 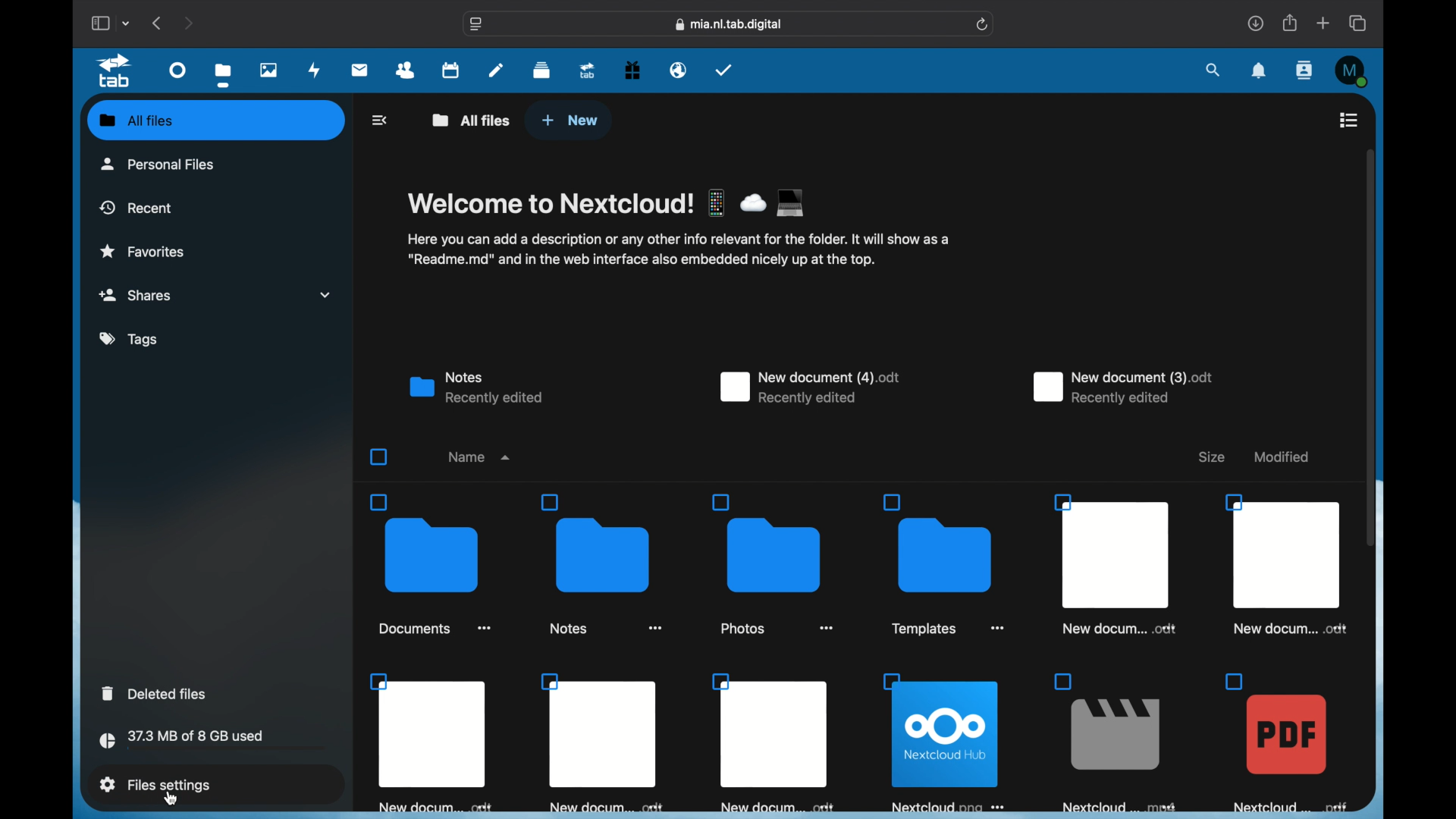 What do you see at coordinates (1121, 388) in the screenshot?
I see `new document` at bounding box center [1121, 388].